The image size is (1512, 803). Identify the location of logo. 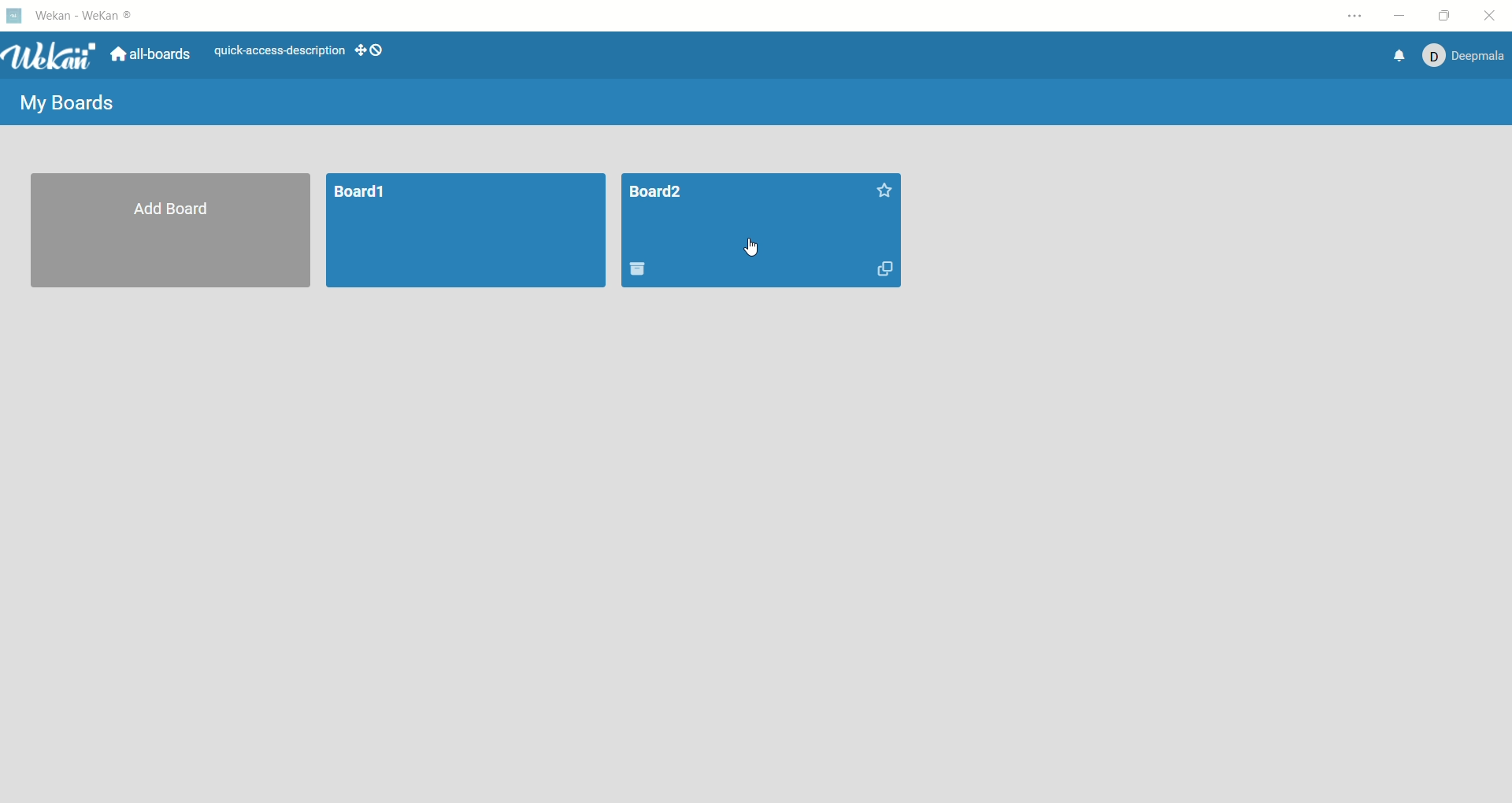
(17, 13).